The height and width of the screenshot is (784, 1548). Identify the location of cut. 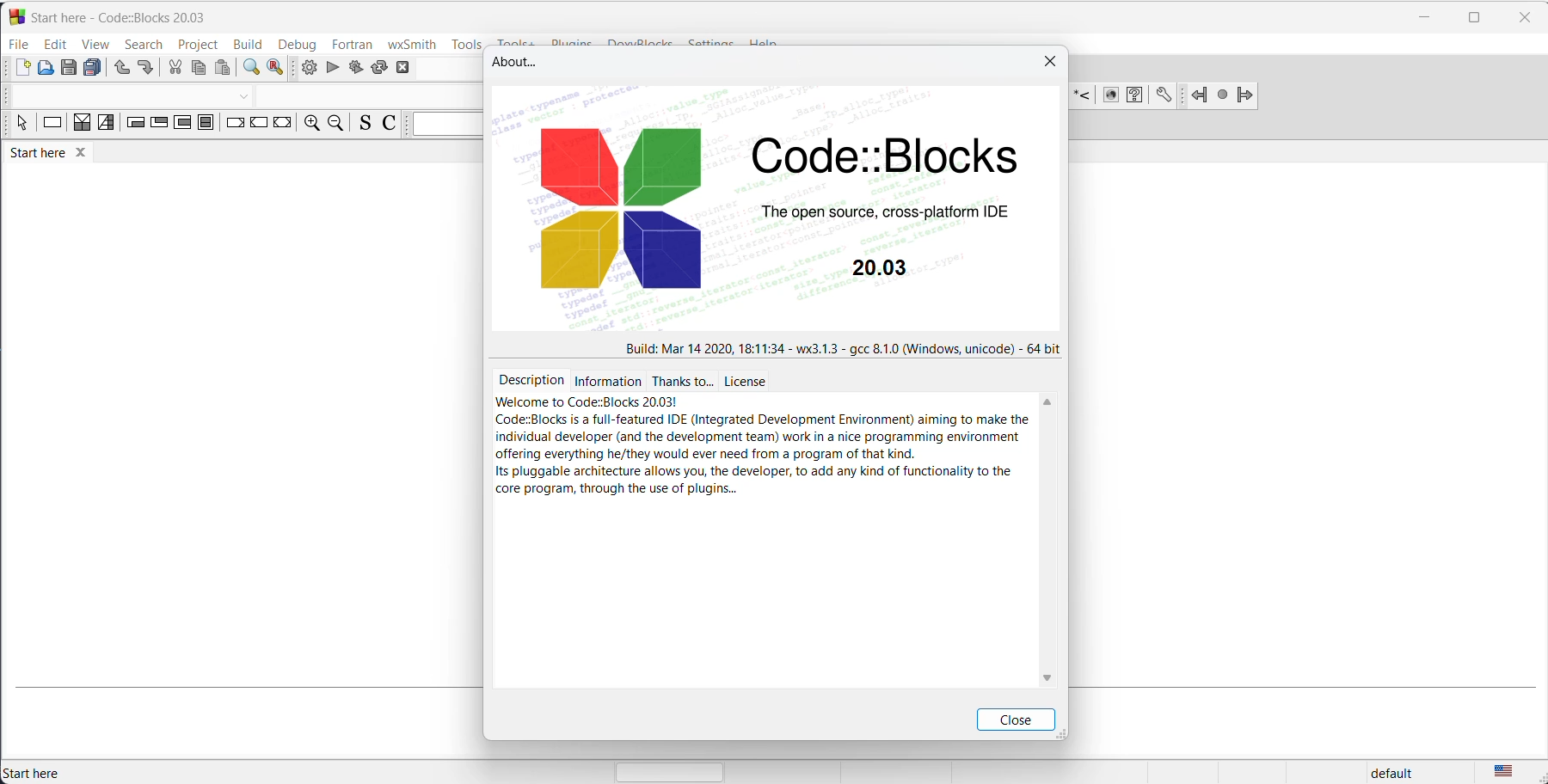
(175, 68).